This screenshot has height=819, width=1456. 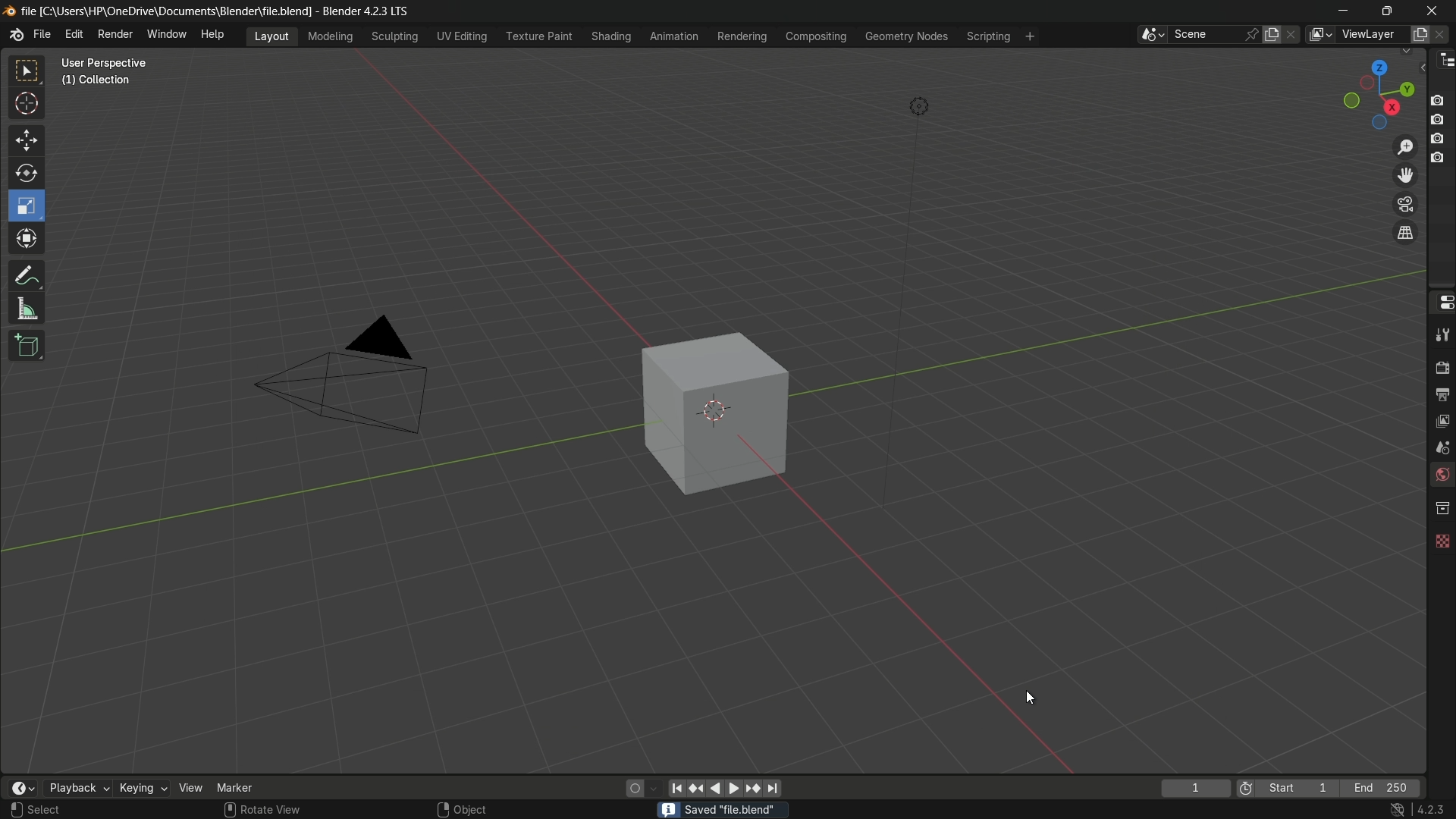 What do you see at coordinates (744, 36) in the screenshot?
I see `rendering menu` at bounding box center [744, 36].